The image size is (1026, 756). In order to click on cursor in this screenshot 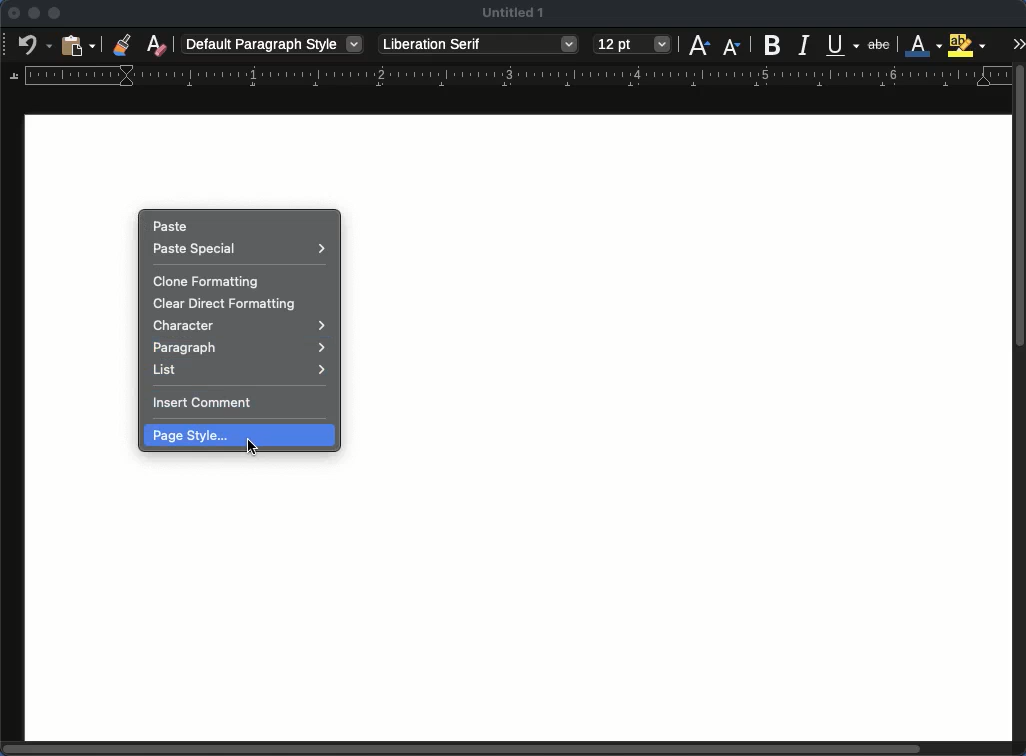, I will do `click(252, 447)`.